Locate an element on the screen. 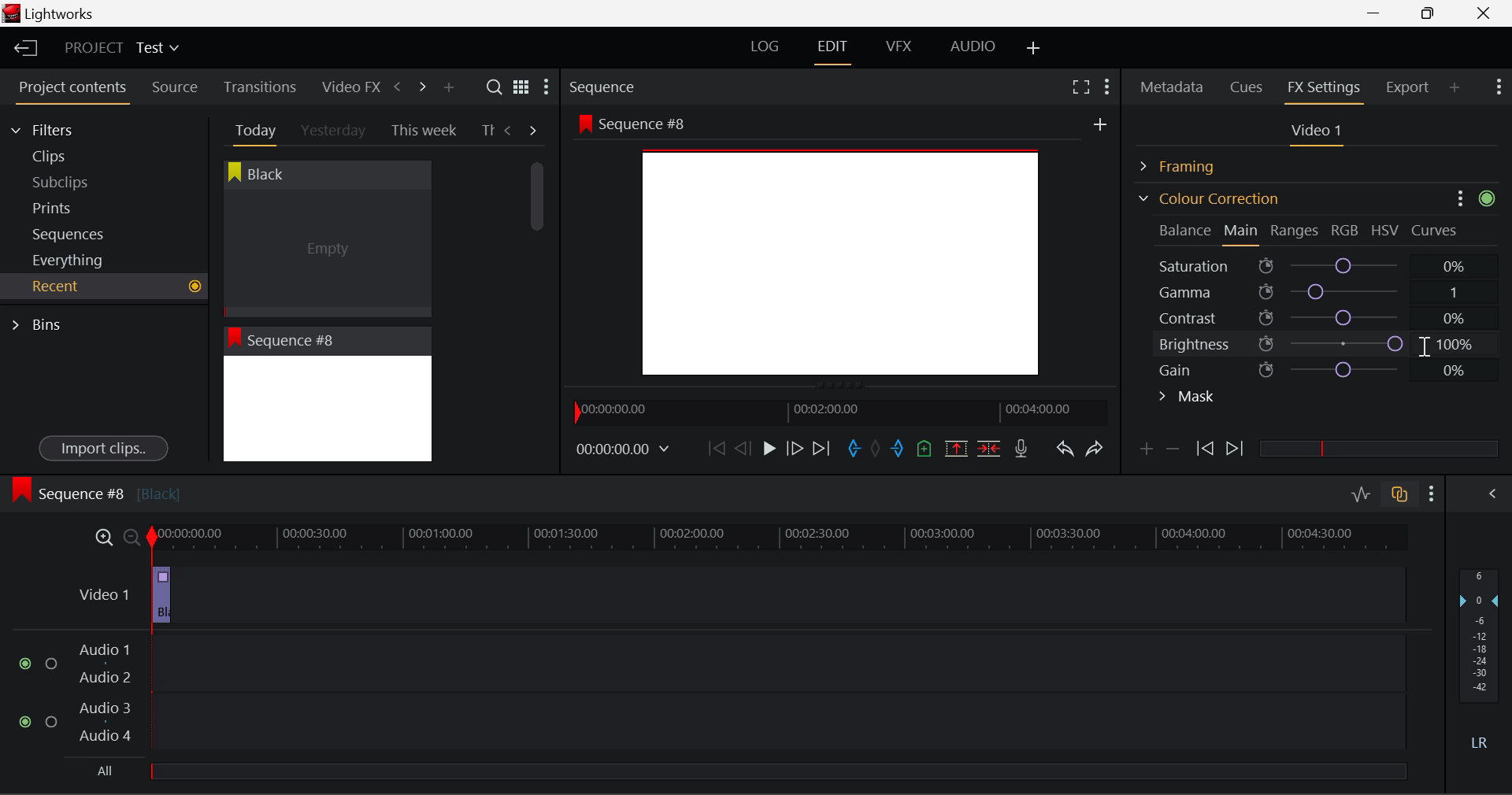 This screenshot has width=1512, height=795. Next Panel is located at coordinates (420, 86).